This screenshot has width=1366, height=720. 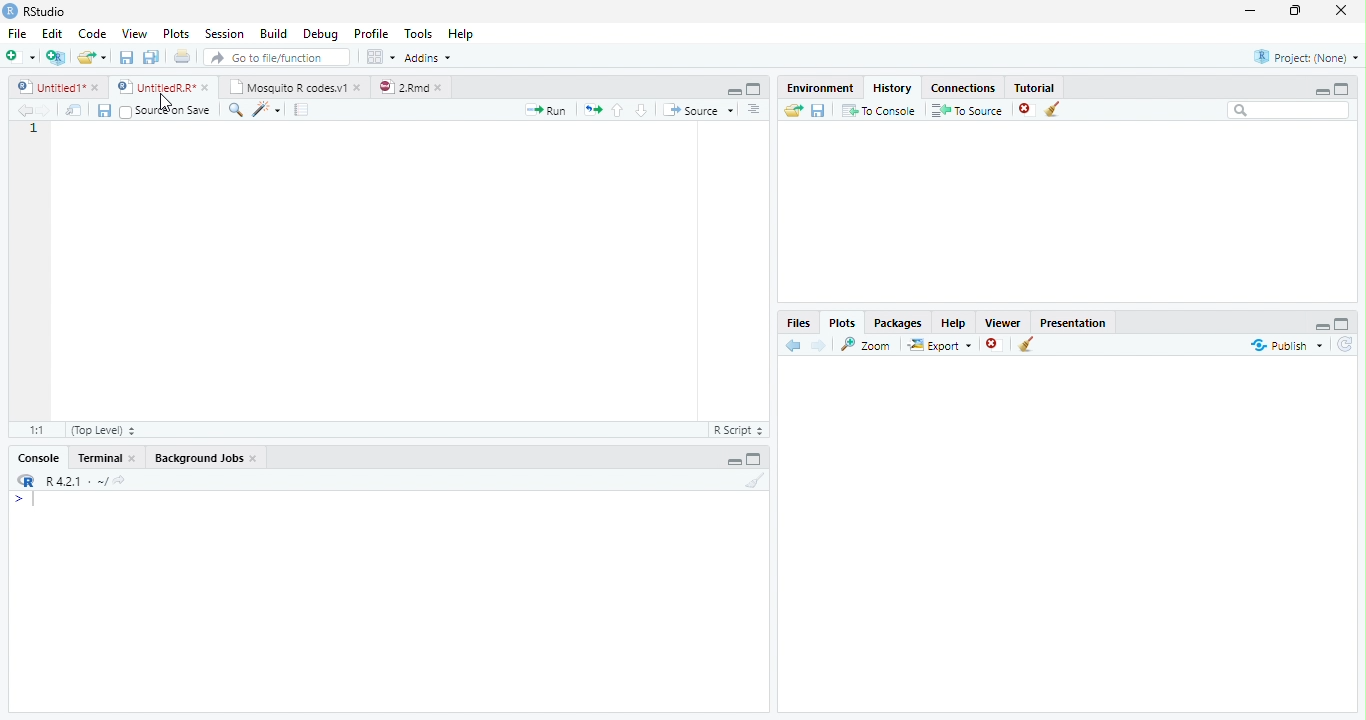 What do you see at coordinates (619, 111) in the screenshot?
I see `Go to previous section of code` at bounding box center [619, 111].